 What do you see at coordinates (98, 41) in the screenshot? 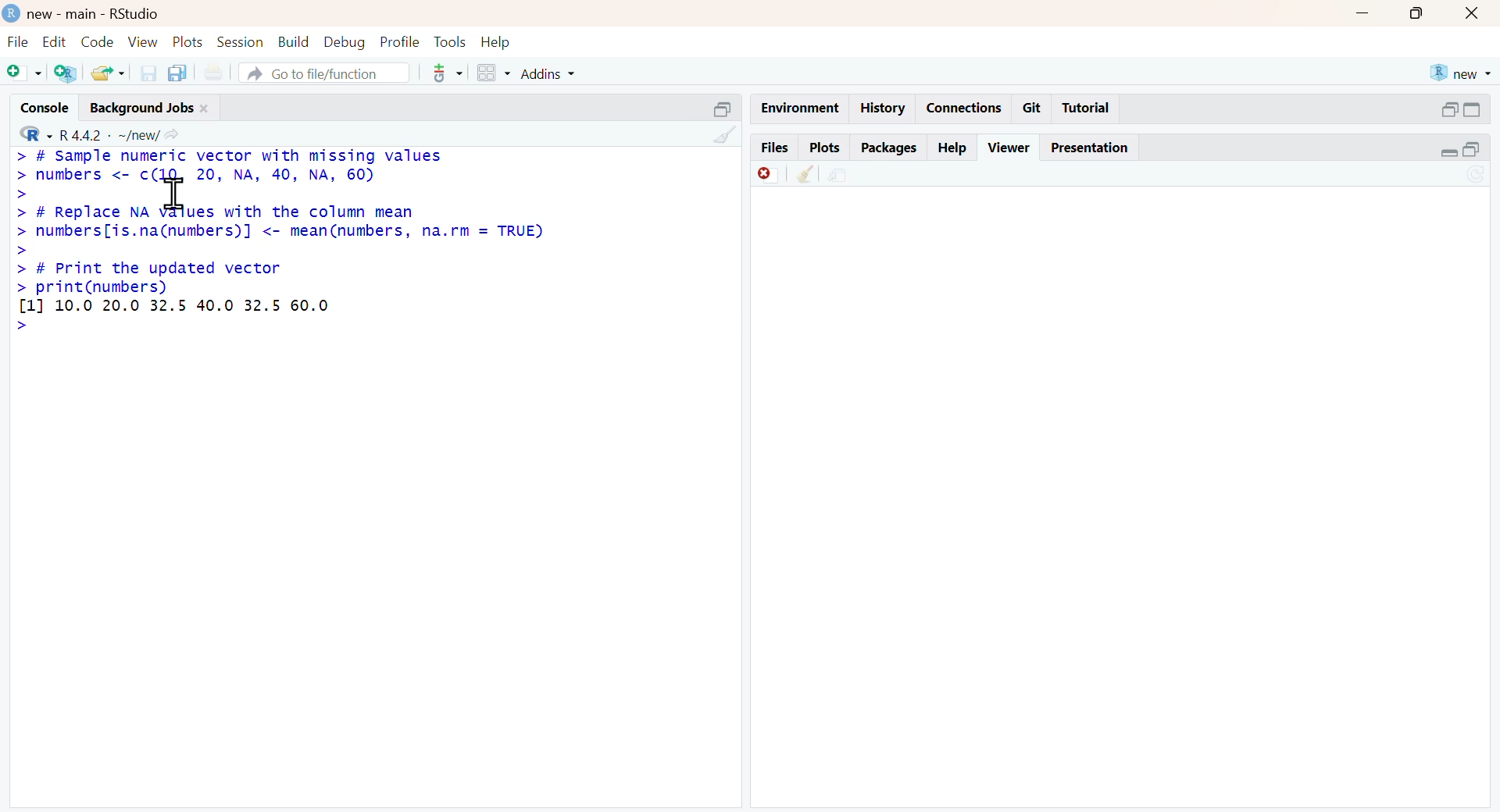
I see `code` at bounding box center [98, 41].